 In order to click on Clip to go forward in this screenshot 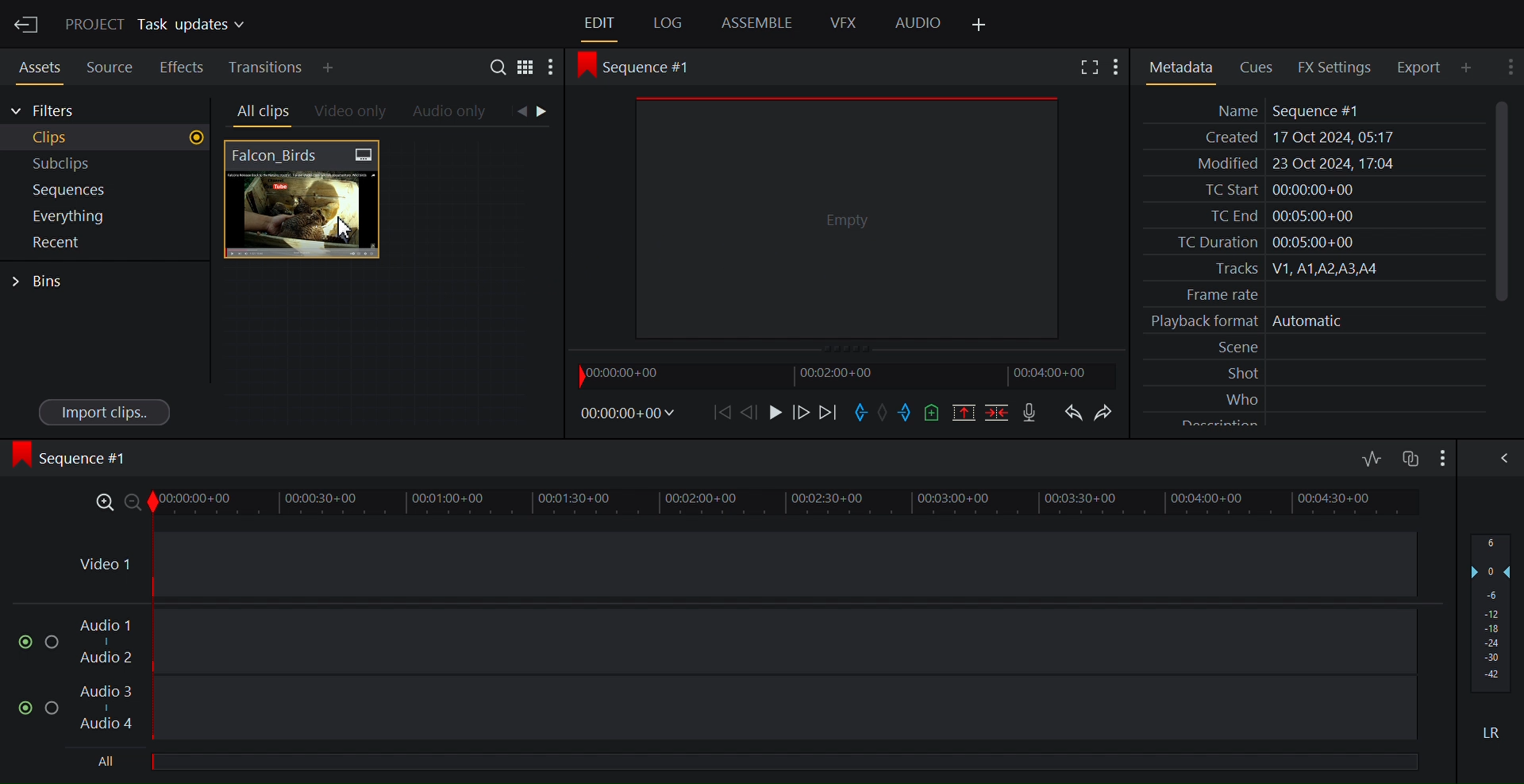, I will do `click(545, 111)`.